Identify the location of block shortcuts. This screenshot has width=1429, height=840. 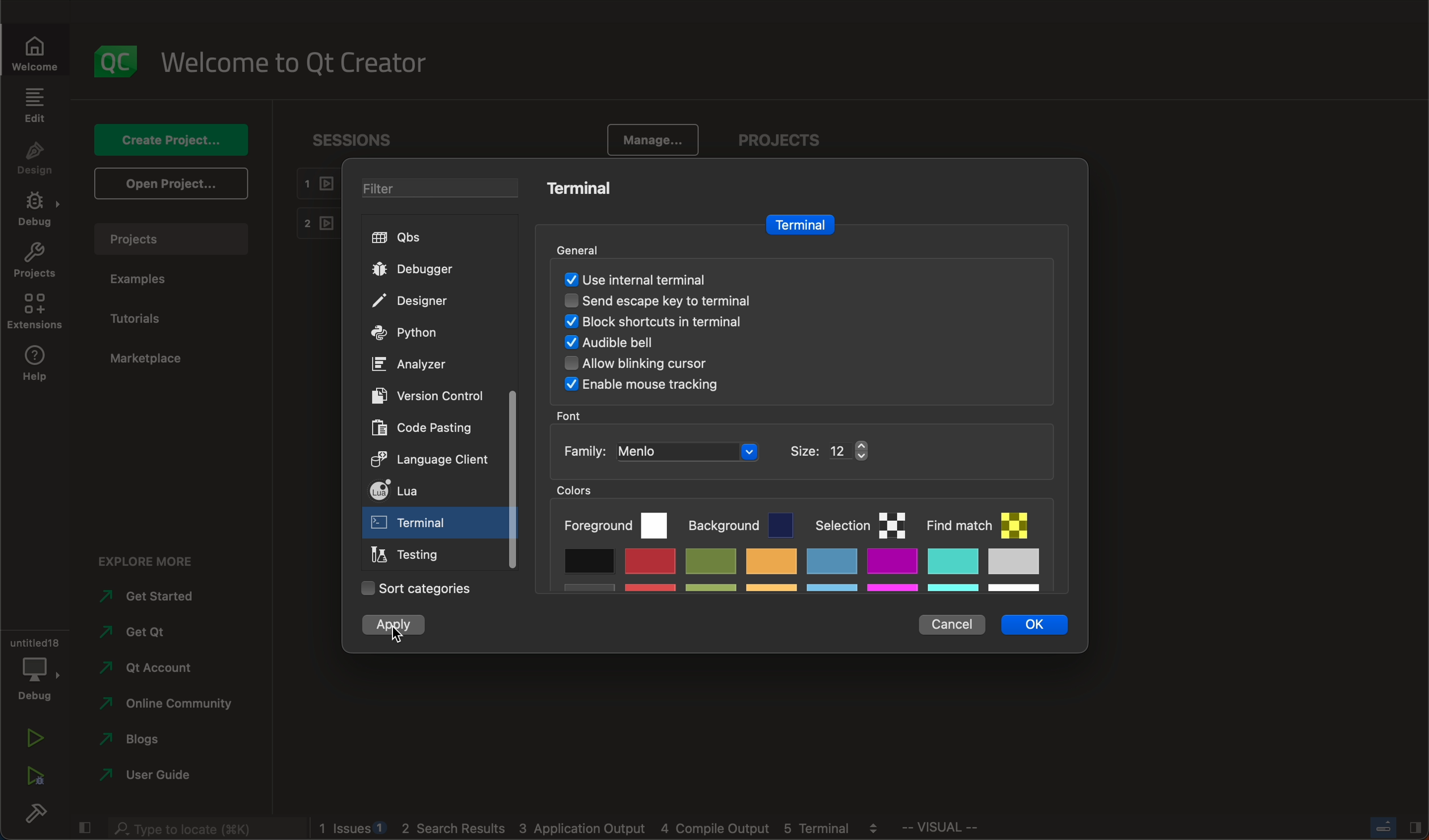
(681, 321).